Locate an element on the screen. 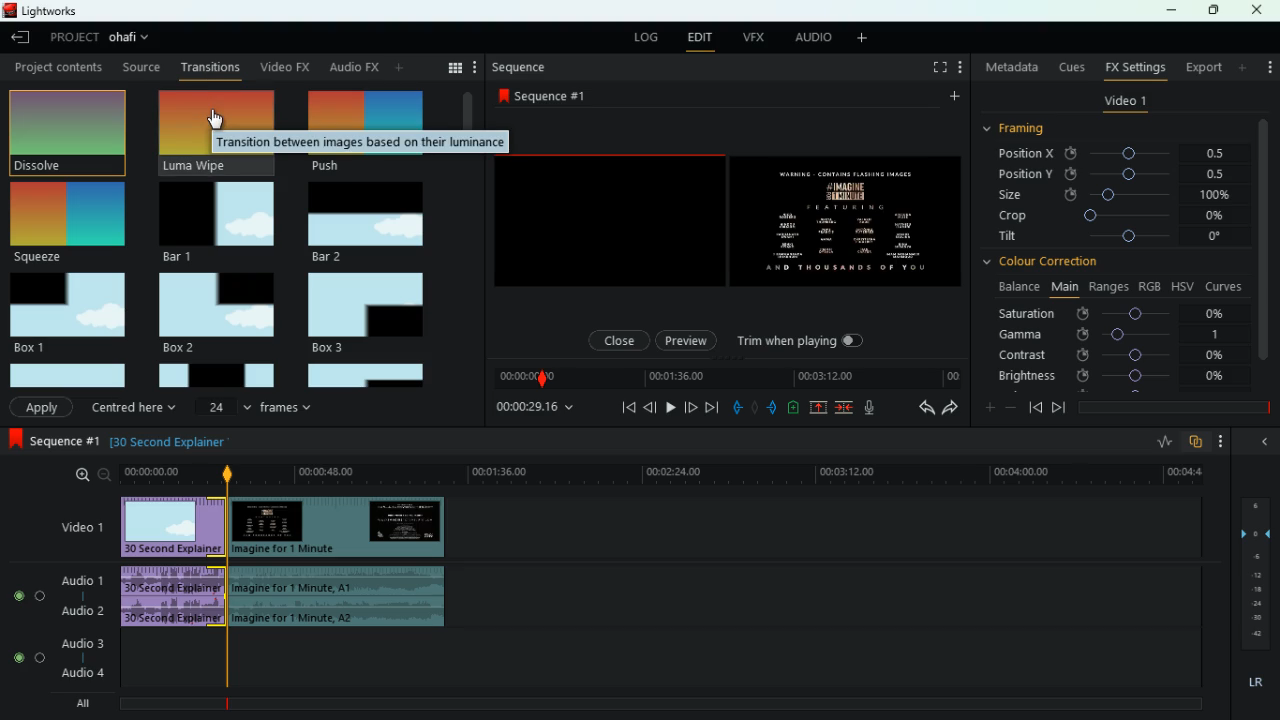 The image size is (1280, 720). more is located at coordinates (952, 99).